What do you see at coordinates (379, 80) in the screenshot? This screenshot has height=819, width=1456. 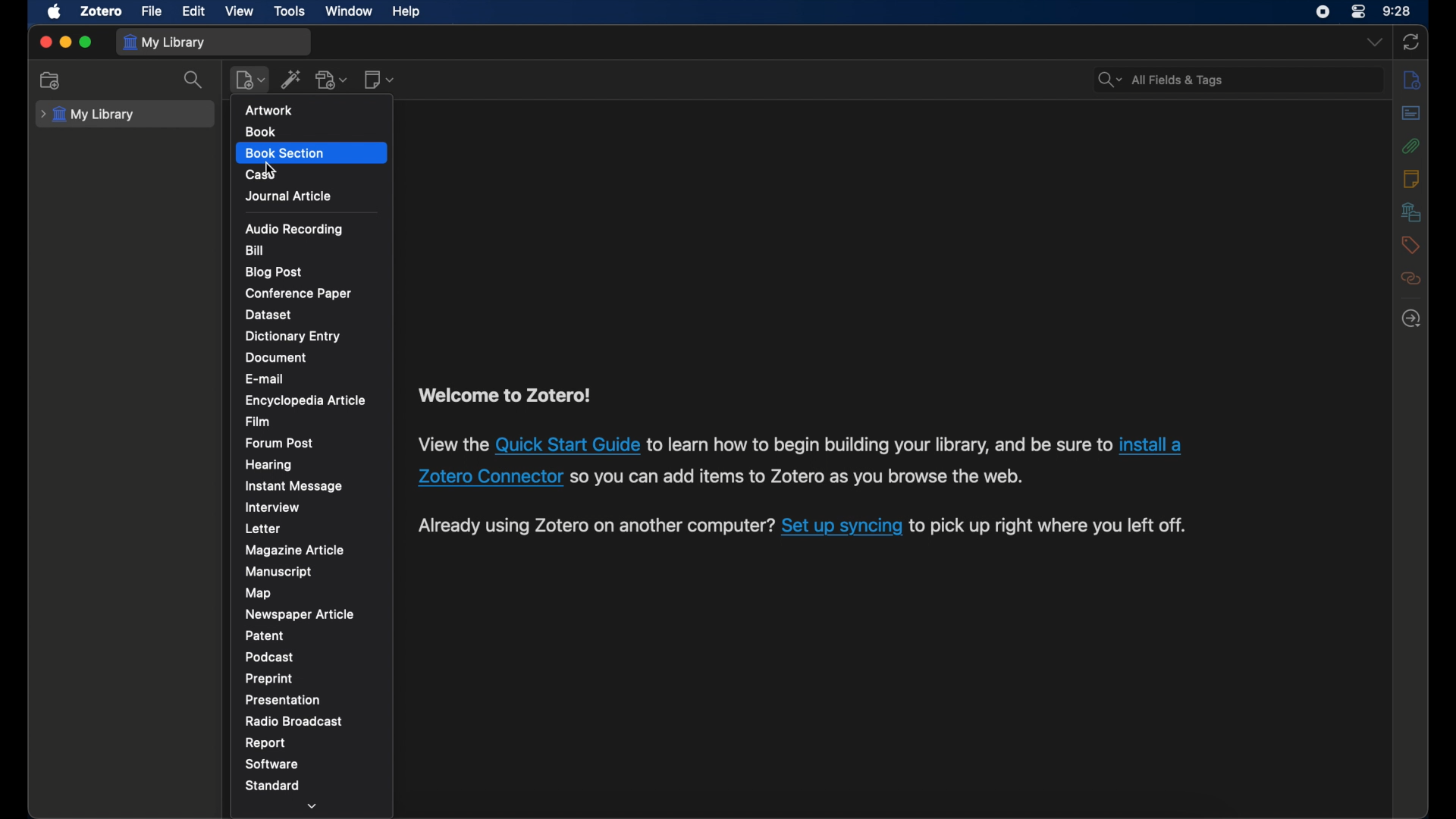 I see `new note` at bounding box center [379, 80].